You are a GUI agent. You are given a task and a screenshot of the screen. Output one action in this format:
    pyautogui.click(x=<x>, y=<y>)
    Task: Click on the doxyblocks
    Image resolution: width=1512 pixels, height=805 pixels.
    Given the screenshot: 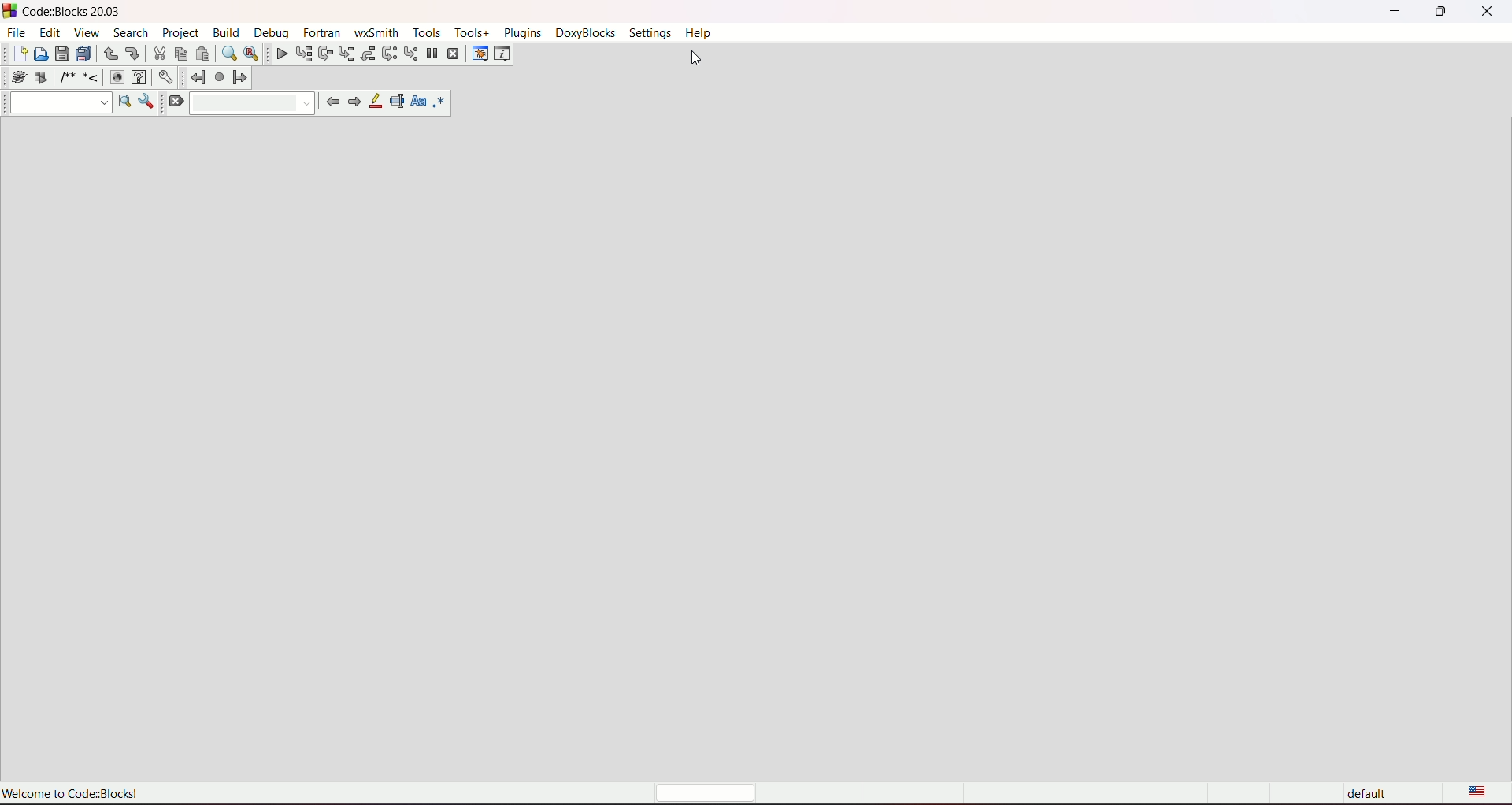 What is the action you would take?
    pyautogui.click(x=582, y=33)
    